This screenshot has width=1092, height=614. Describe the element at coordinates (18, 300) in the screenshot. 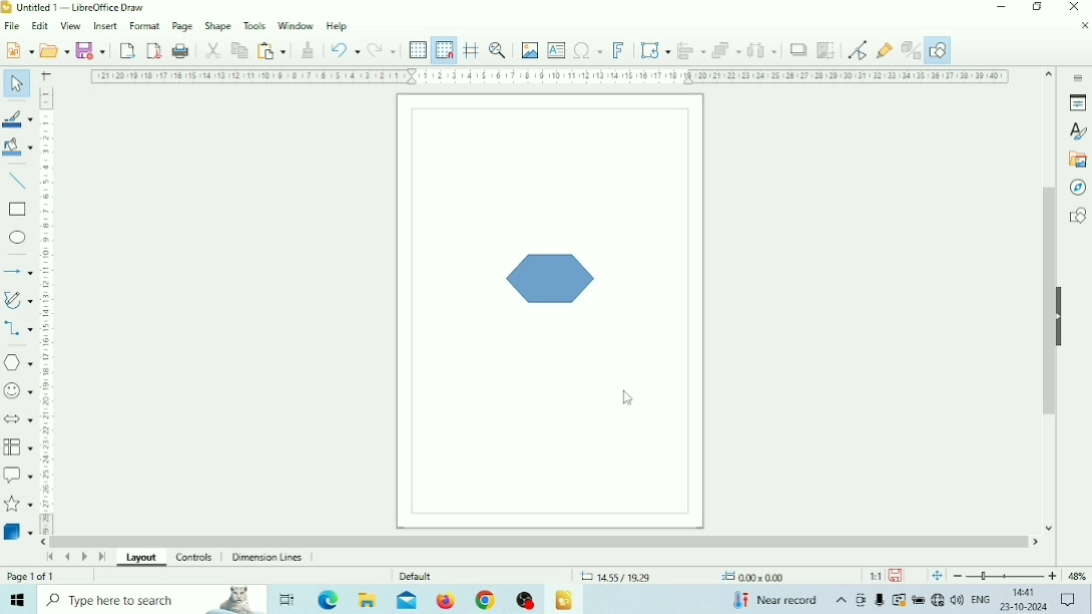

I see `Curves and Polygons` at that location.